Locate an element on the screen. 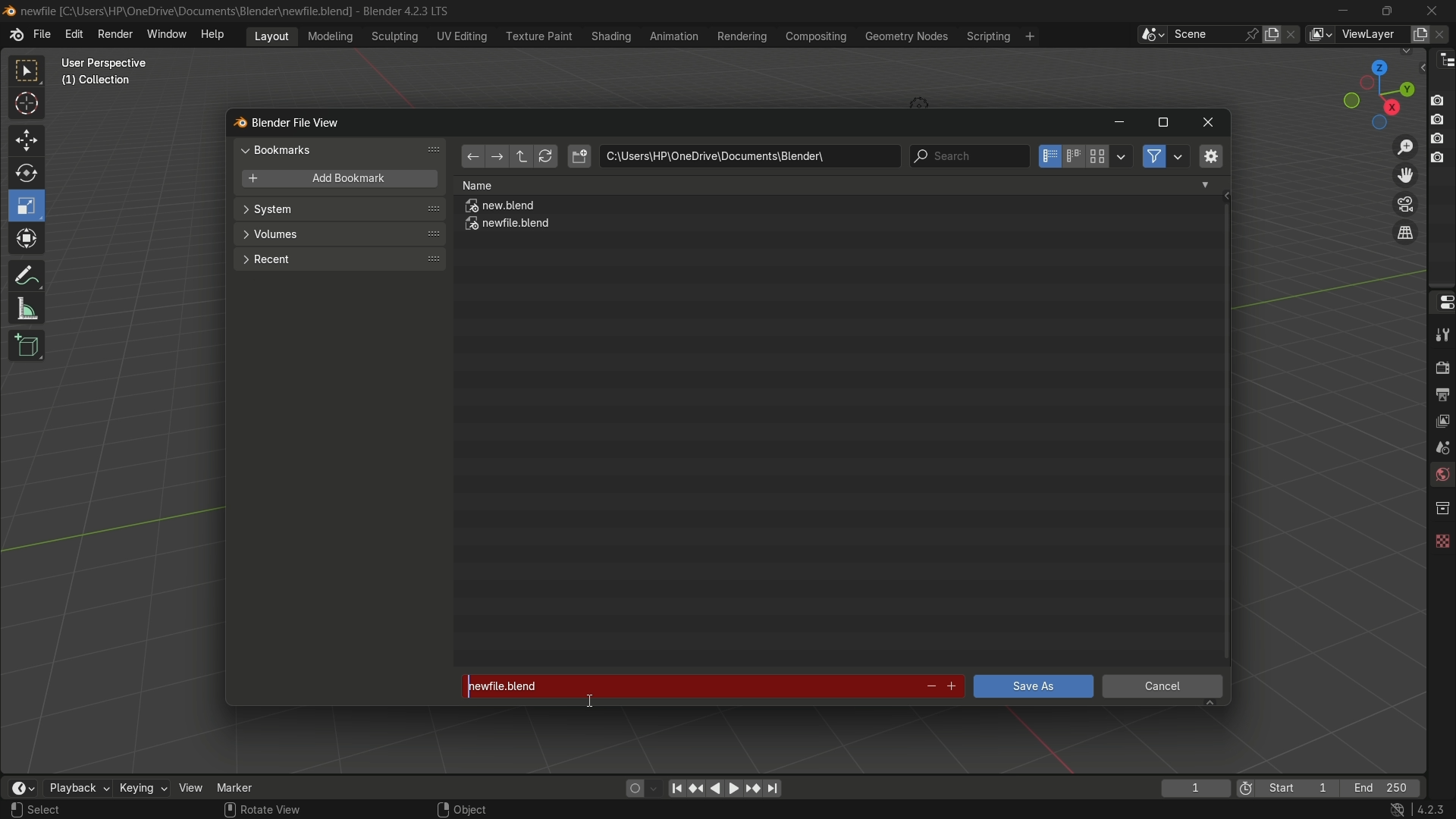 The height and width of the screenshot is (819, 1456). edit menu is located at coordinates (74, 34).